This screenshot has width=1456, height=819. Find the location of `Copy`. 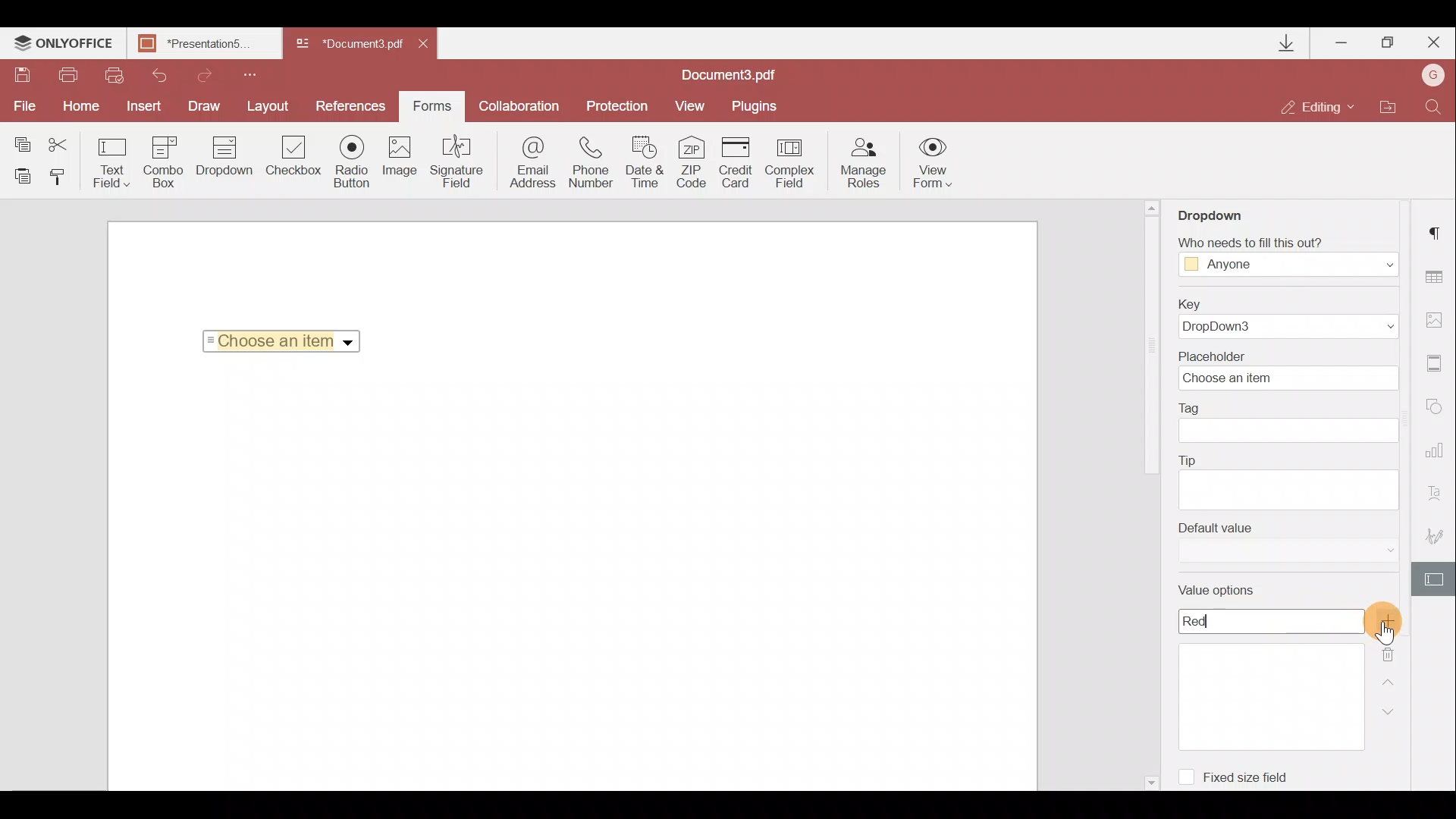

Copy is located at coordinates (18, 139).